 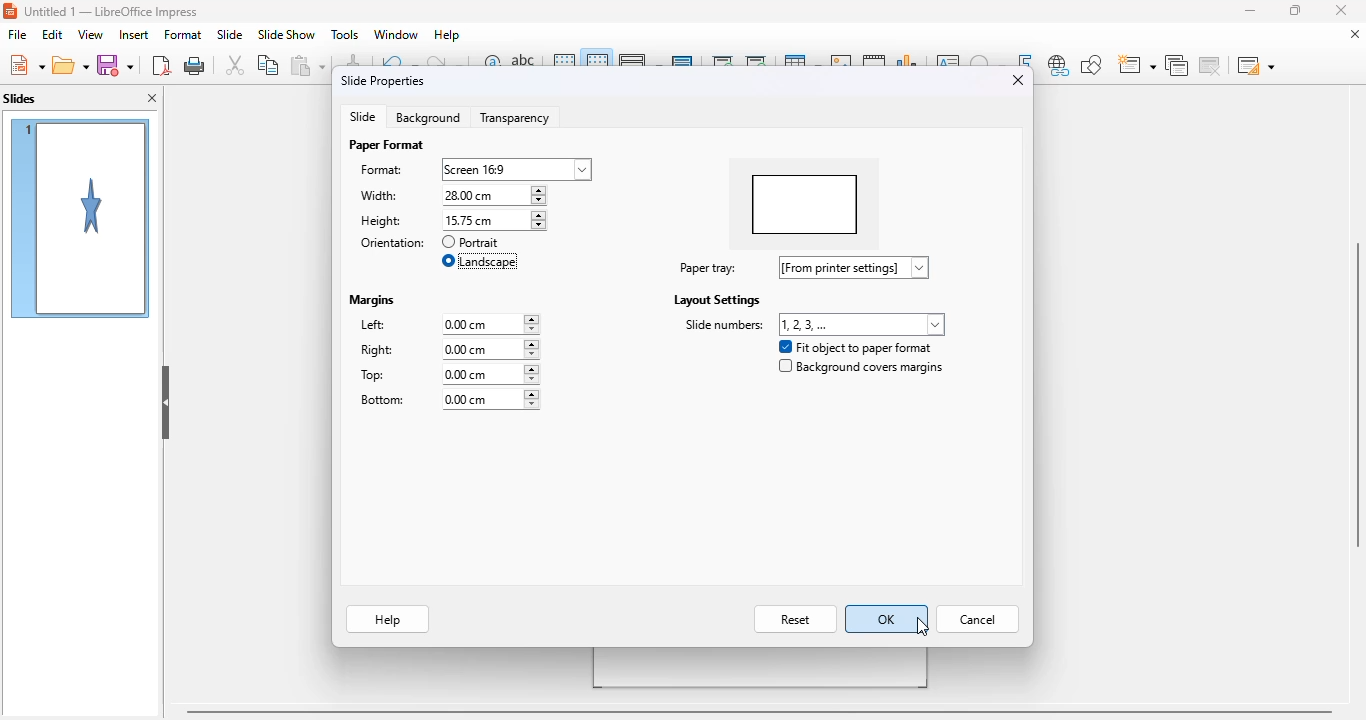 I want to click on close pane, so click(x=152, y=98).